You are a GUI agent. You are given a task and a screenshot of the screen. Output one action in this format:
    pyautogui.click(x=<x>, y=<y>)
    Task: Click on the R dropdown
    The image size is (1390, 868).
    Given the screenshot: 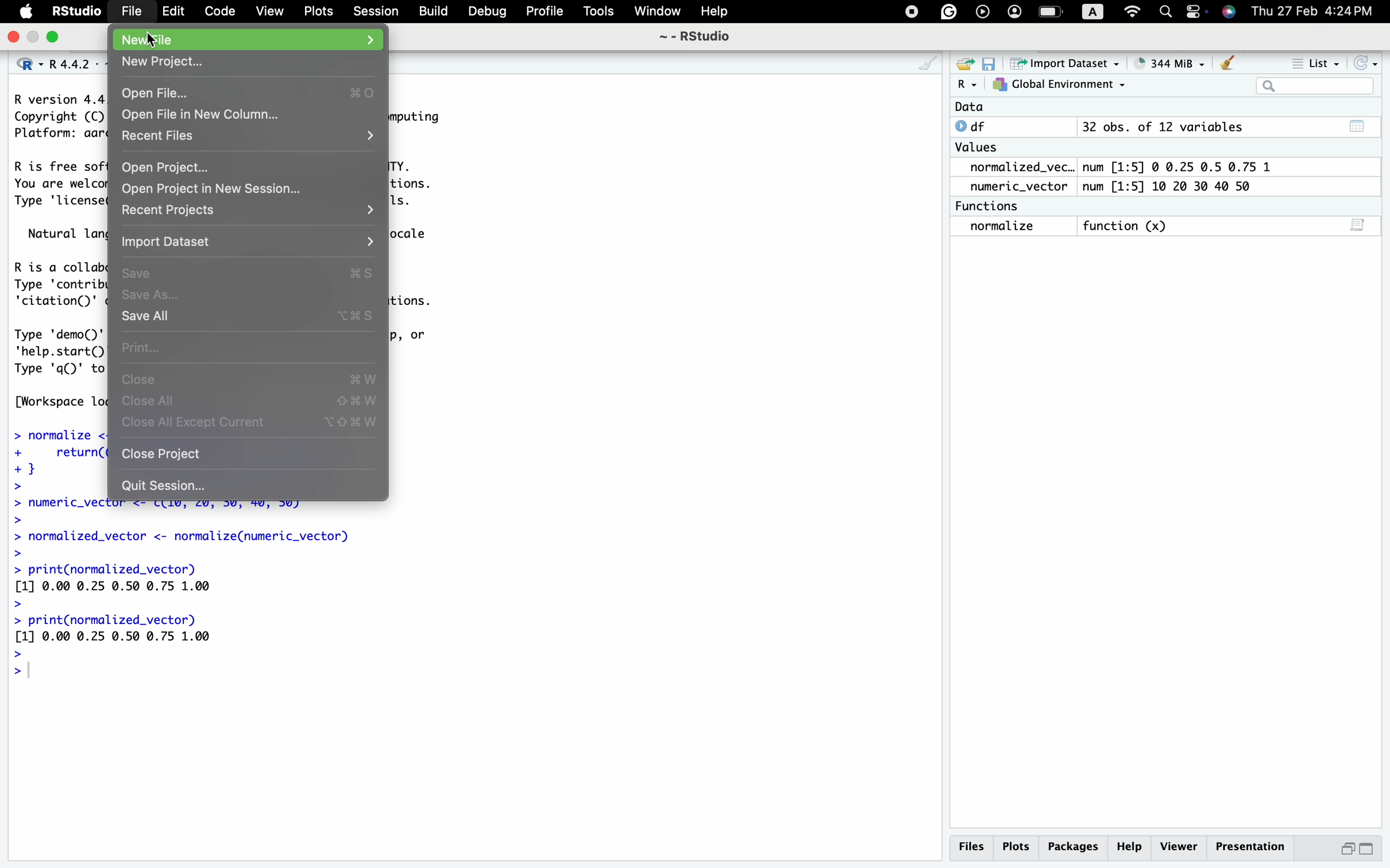 What is the action you would take?
    pyautogui.click(x=970, y=85)
    